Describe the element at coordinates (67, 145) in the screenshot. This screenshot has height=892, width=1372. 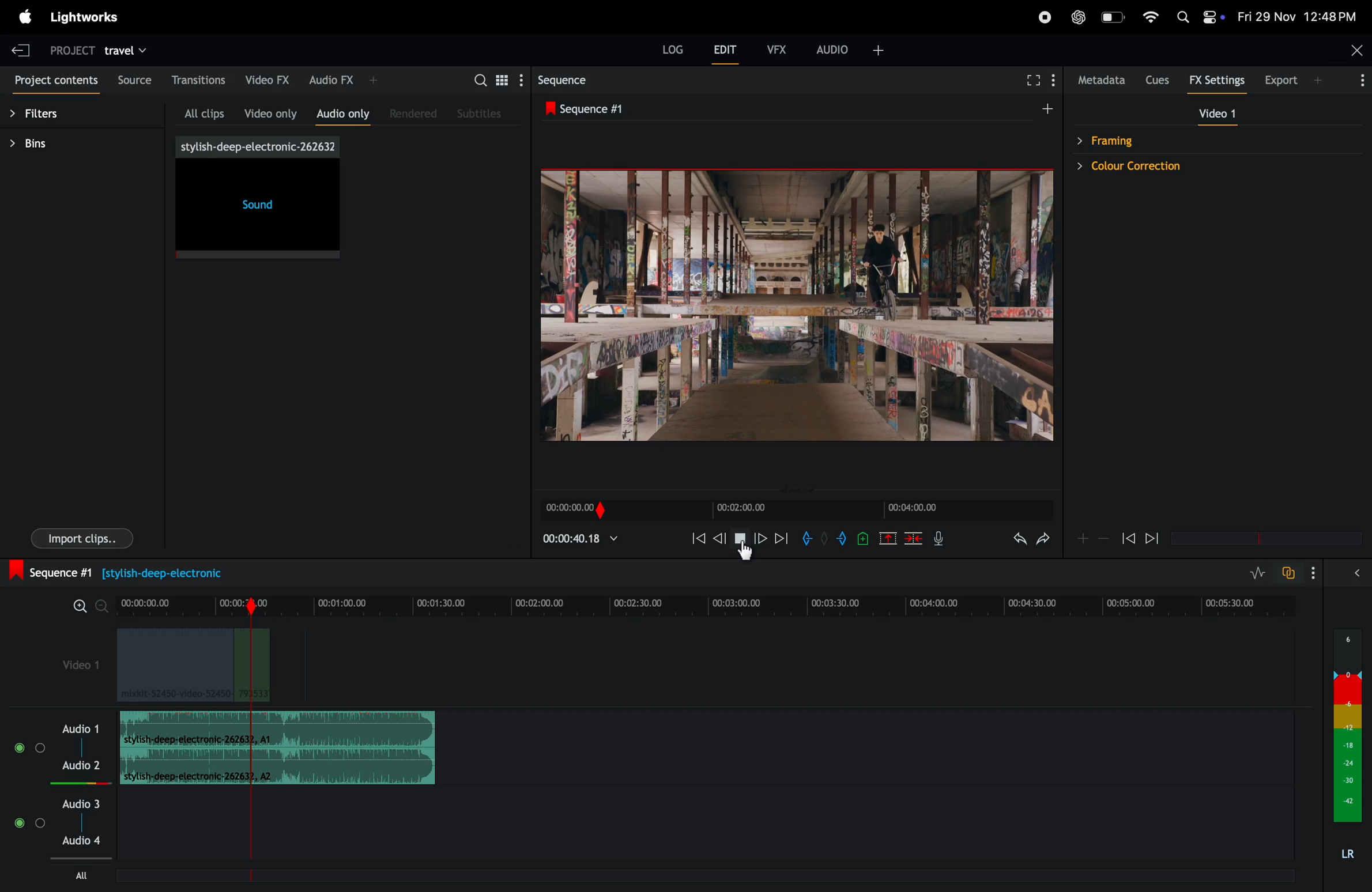
I see `bins` at that location.